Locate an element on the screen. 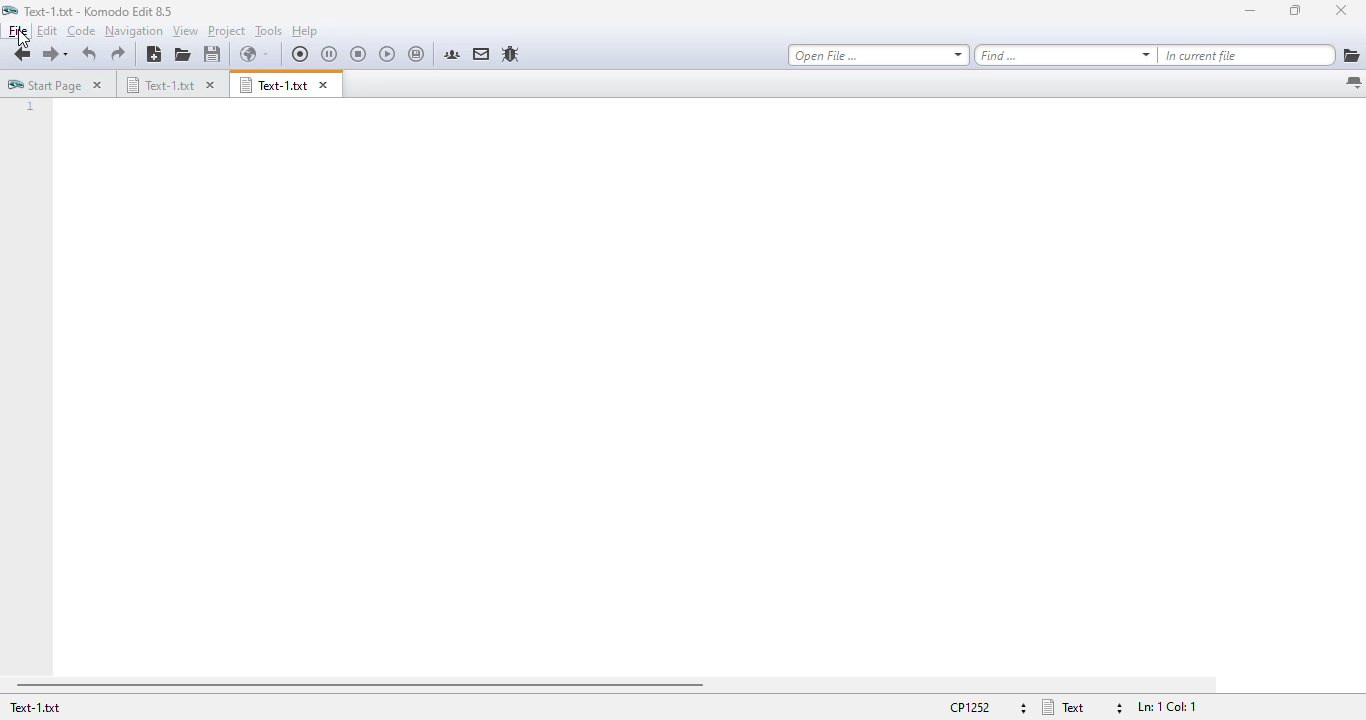  komodo community is located at coordinates (452, 54).